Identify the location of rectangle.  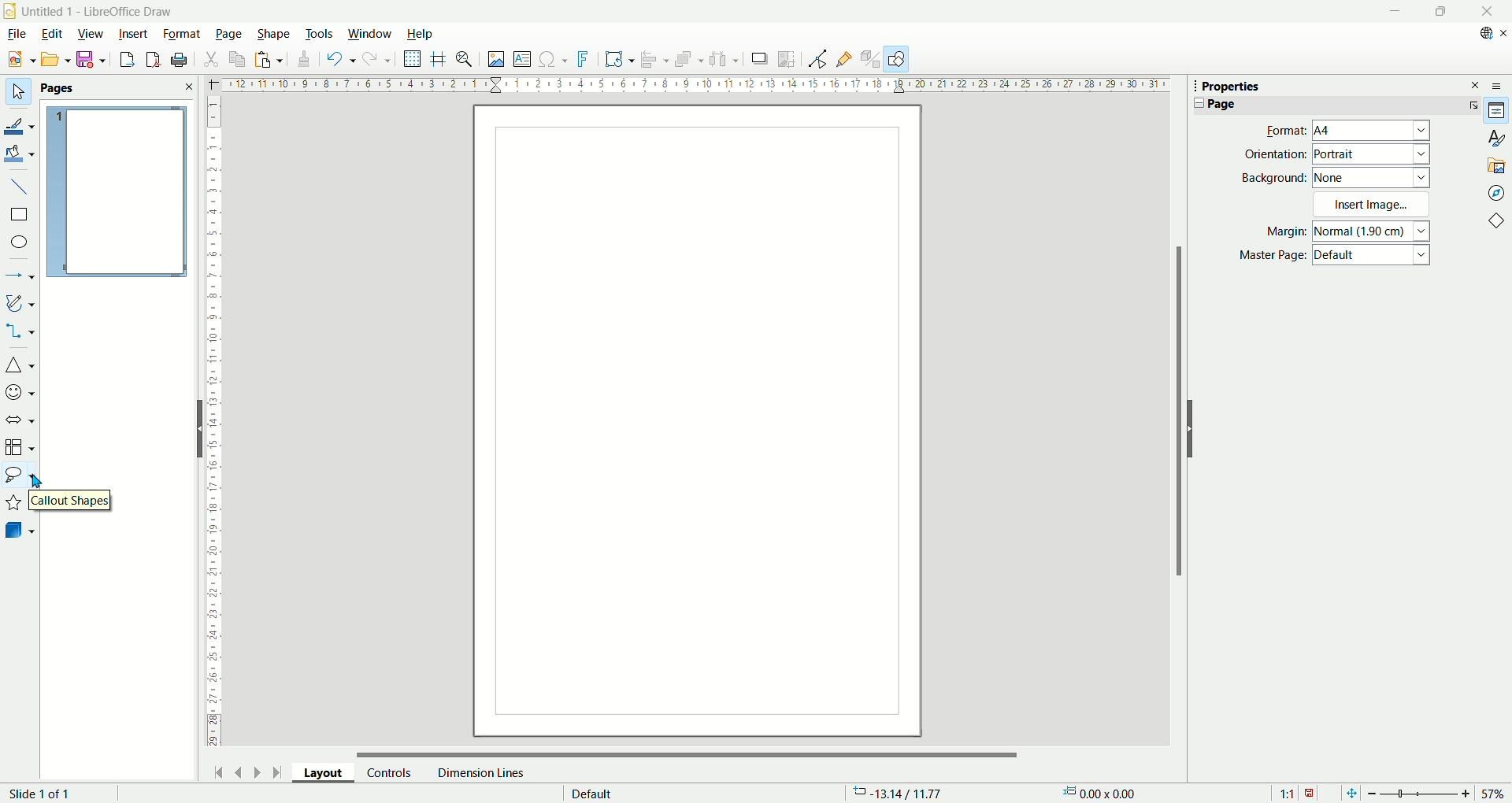
(18, 215).